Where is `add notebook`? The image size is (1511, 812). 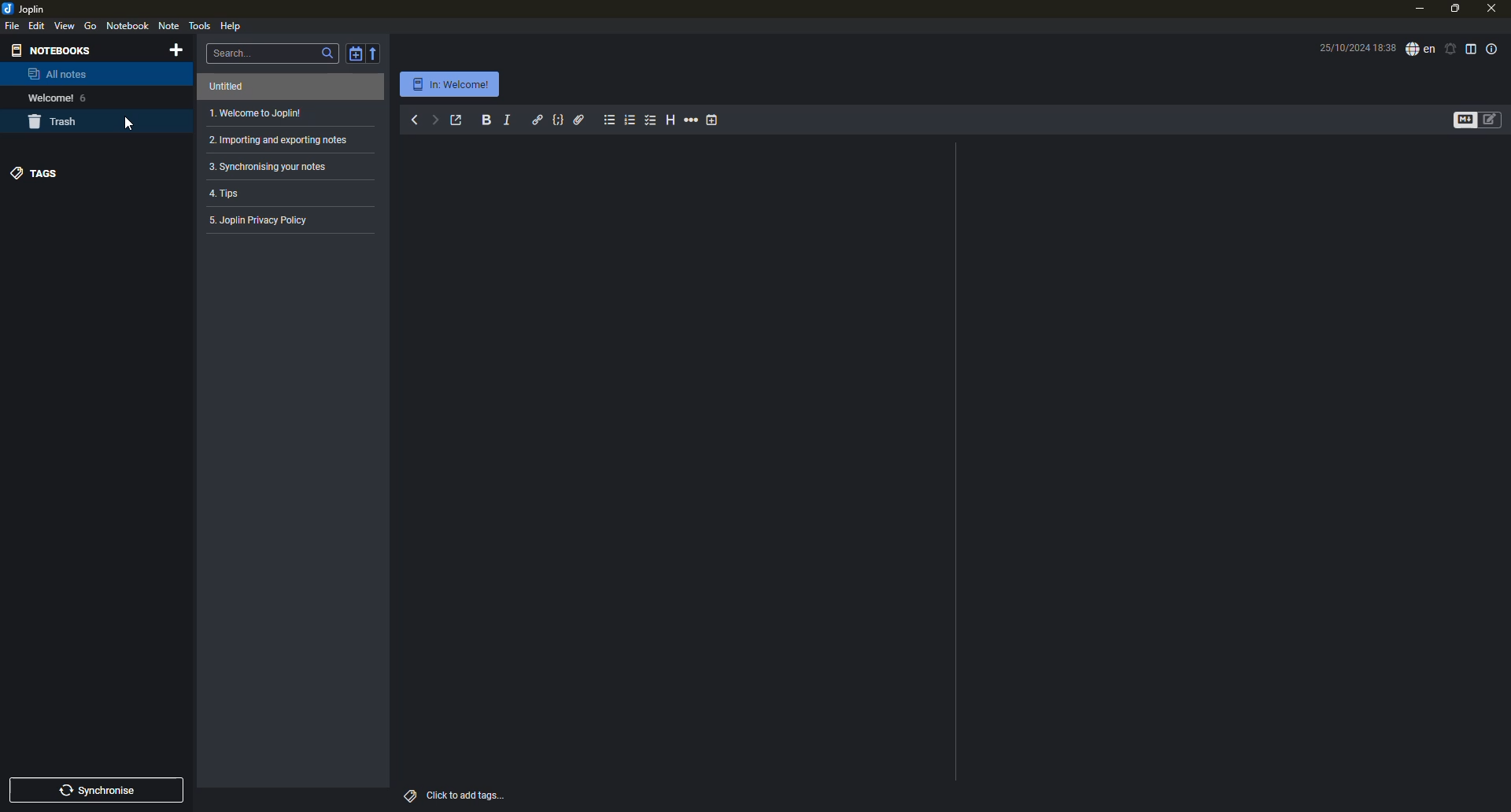
add notebook is located at coordinates (179, 51).